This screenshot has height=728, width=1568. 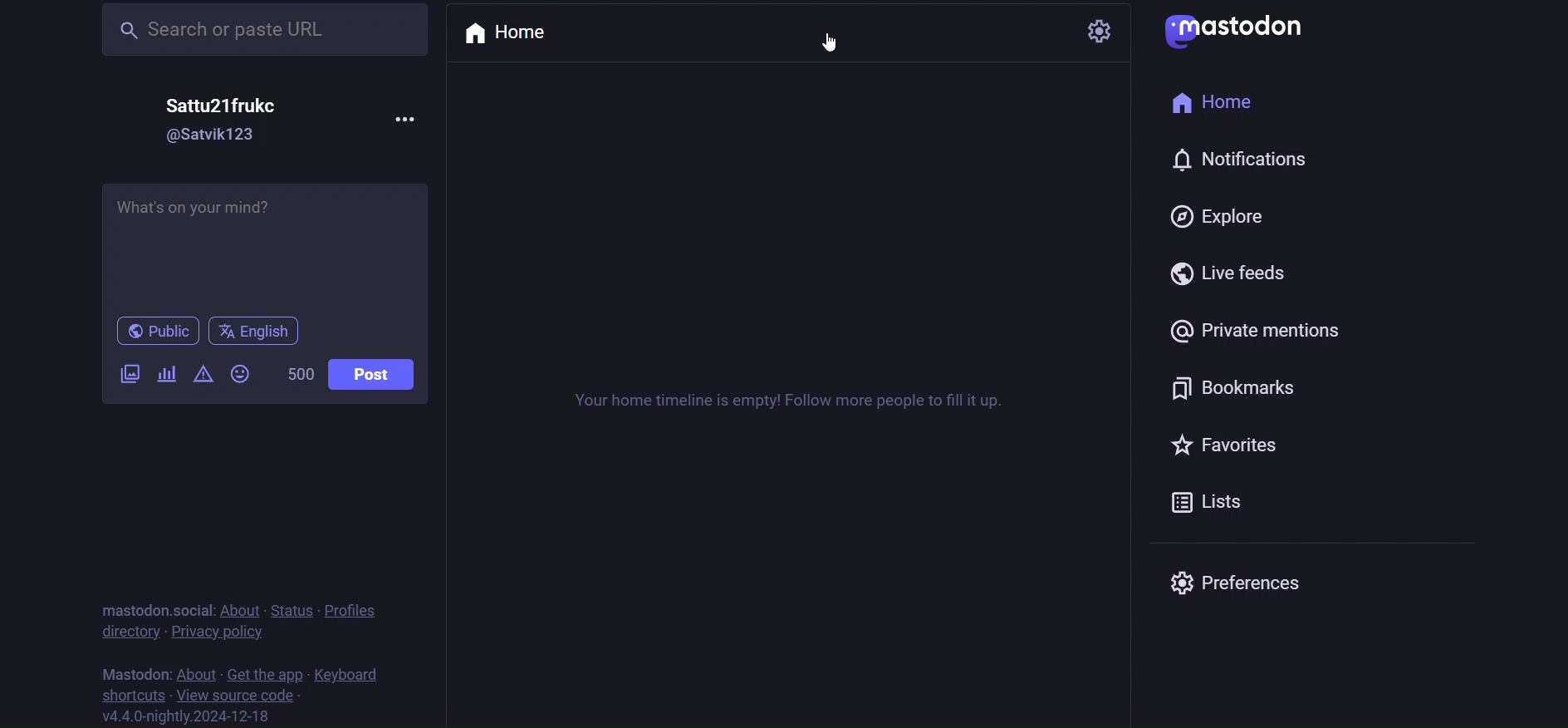 I want to click on get the app, so click(x=266, y=676).